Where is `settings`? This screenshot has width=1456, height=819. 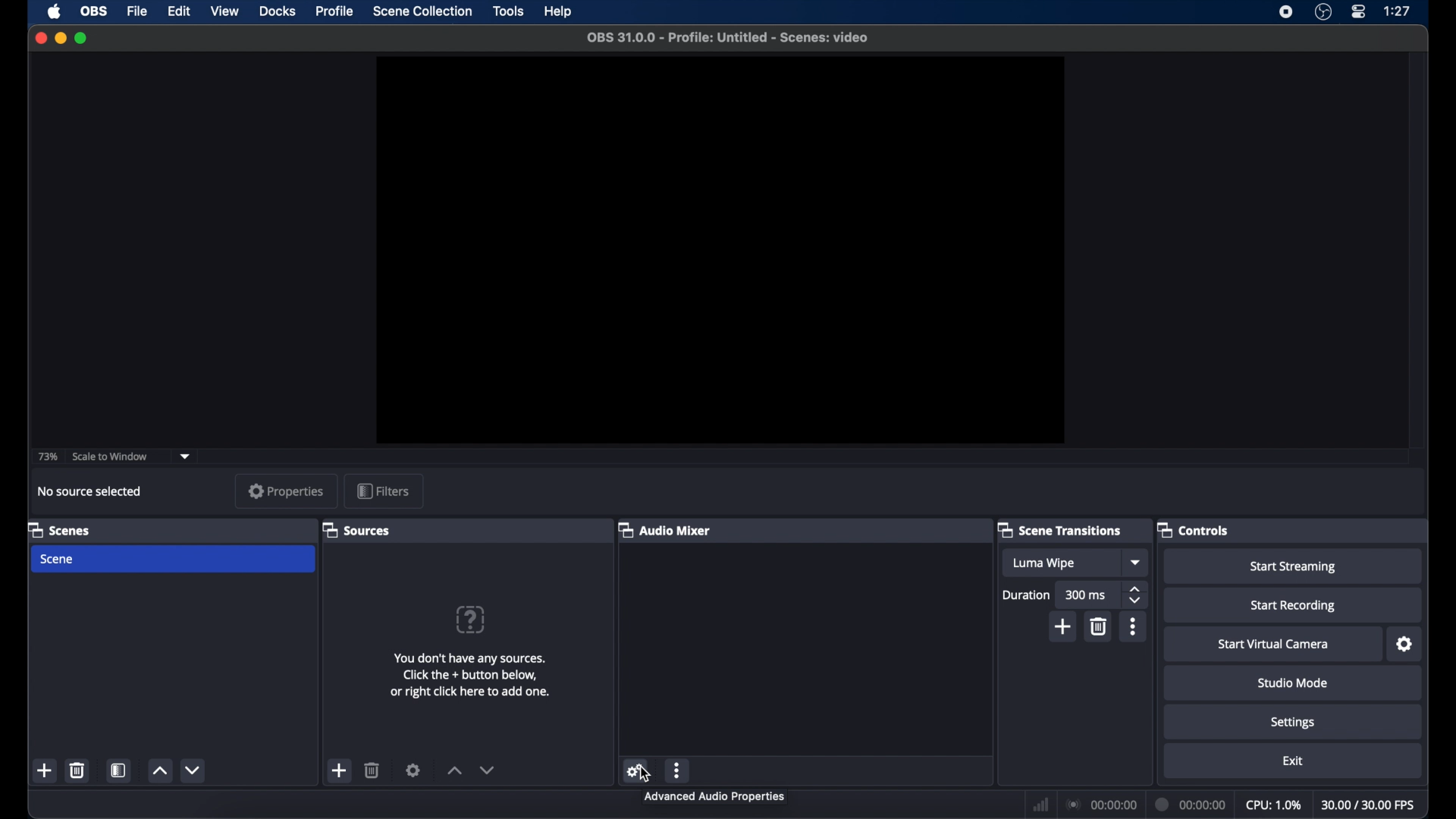 settings is located at coordinates (1294, 723).